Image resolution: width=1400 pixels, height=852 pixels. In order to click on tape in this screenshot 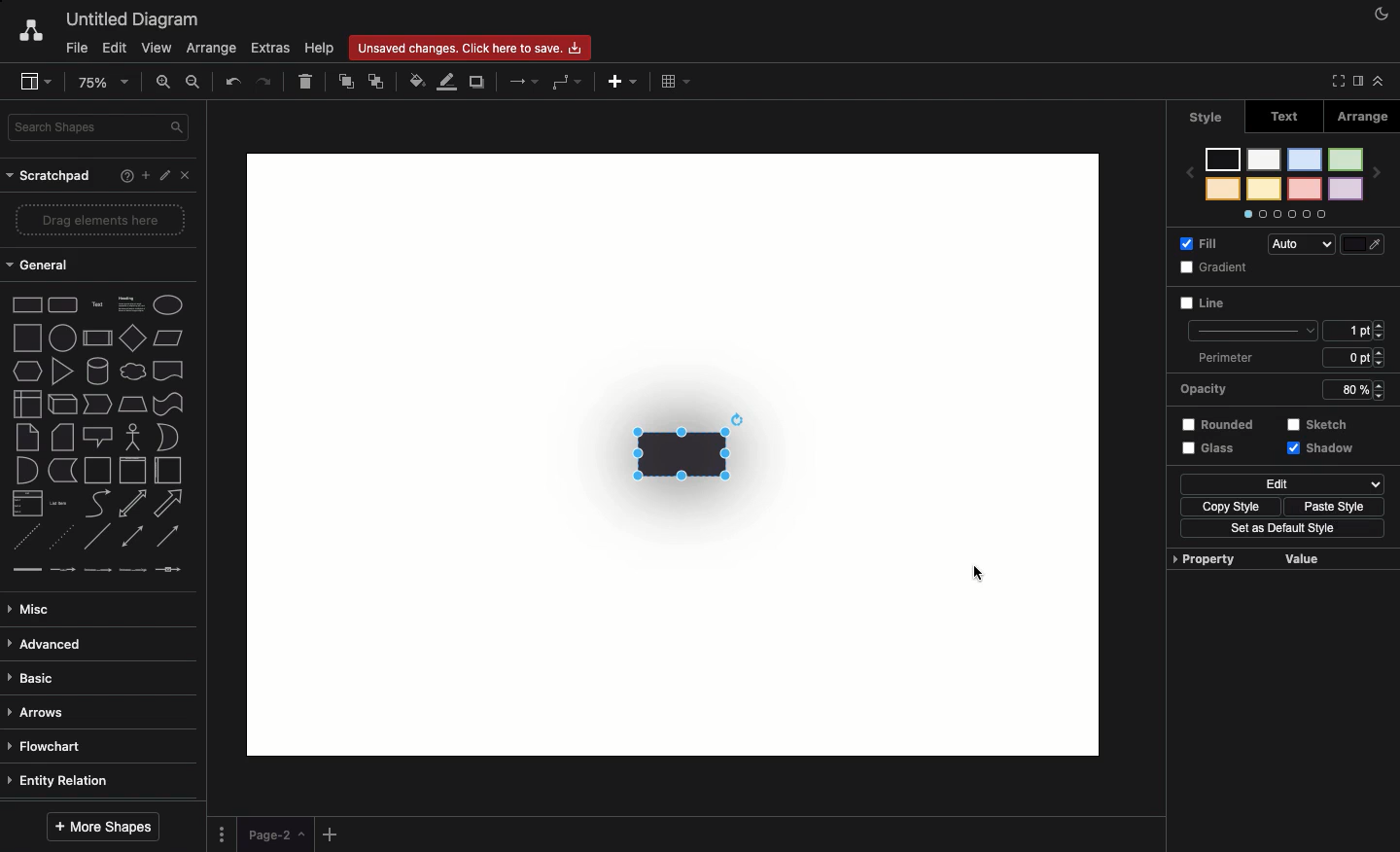, I will do `click(169, 403)`.